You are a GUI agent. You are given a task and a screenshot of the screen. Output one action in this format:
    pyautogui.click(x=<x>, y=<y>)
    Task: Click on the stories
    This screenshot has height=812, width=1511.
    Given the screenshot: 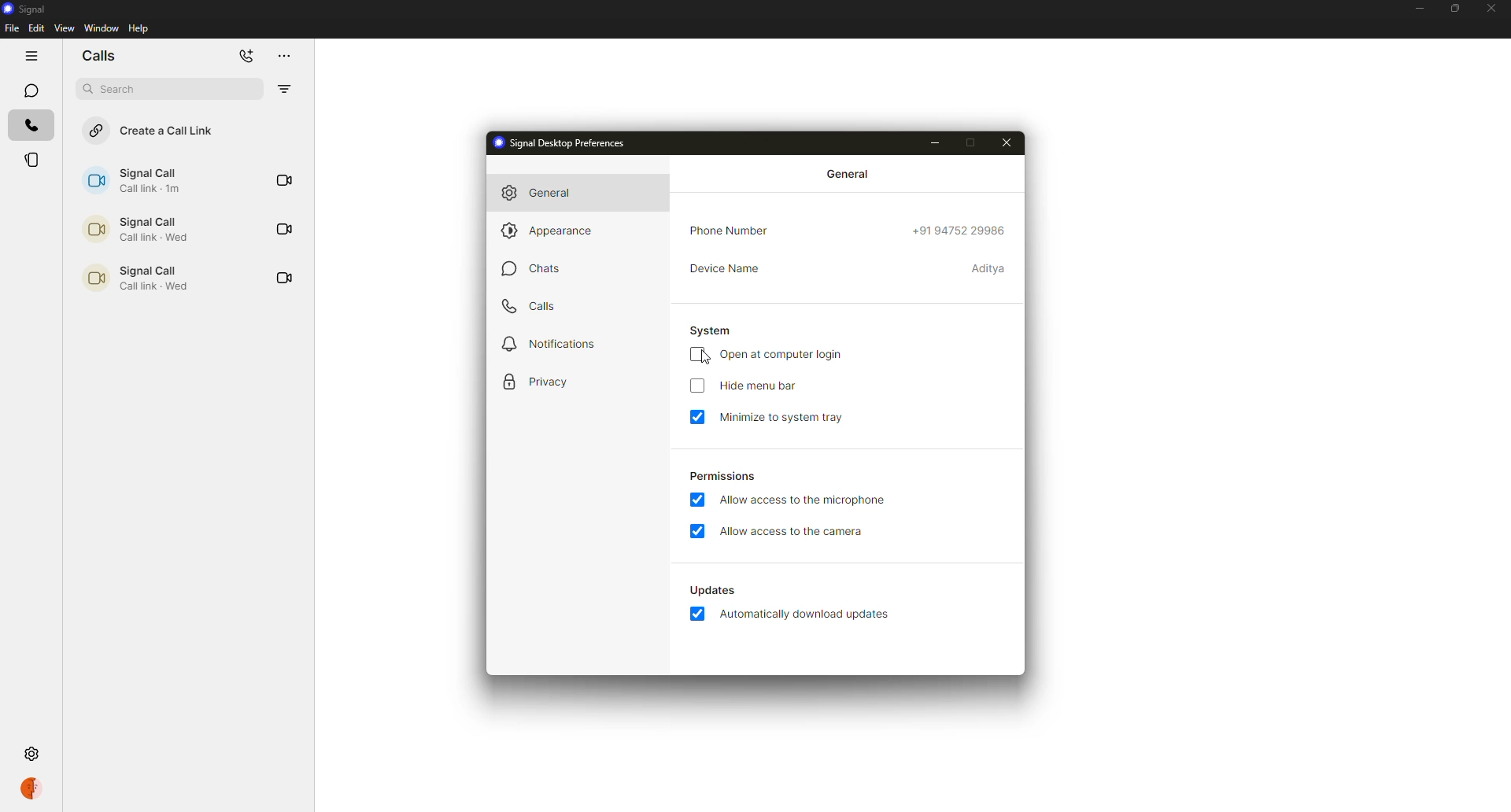 What is the action you would take?
    pyautogui.click(x=34, y=160)
    